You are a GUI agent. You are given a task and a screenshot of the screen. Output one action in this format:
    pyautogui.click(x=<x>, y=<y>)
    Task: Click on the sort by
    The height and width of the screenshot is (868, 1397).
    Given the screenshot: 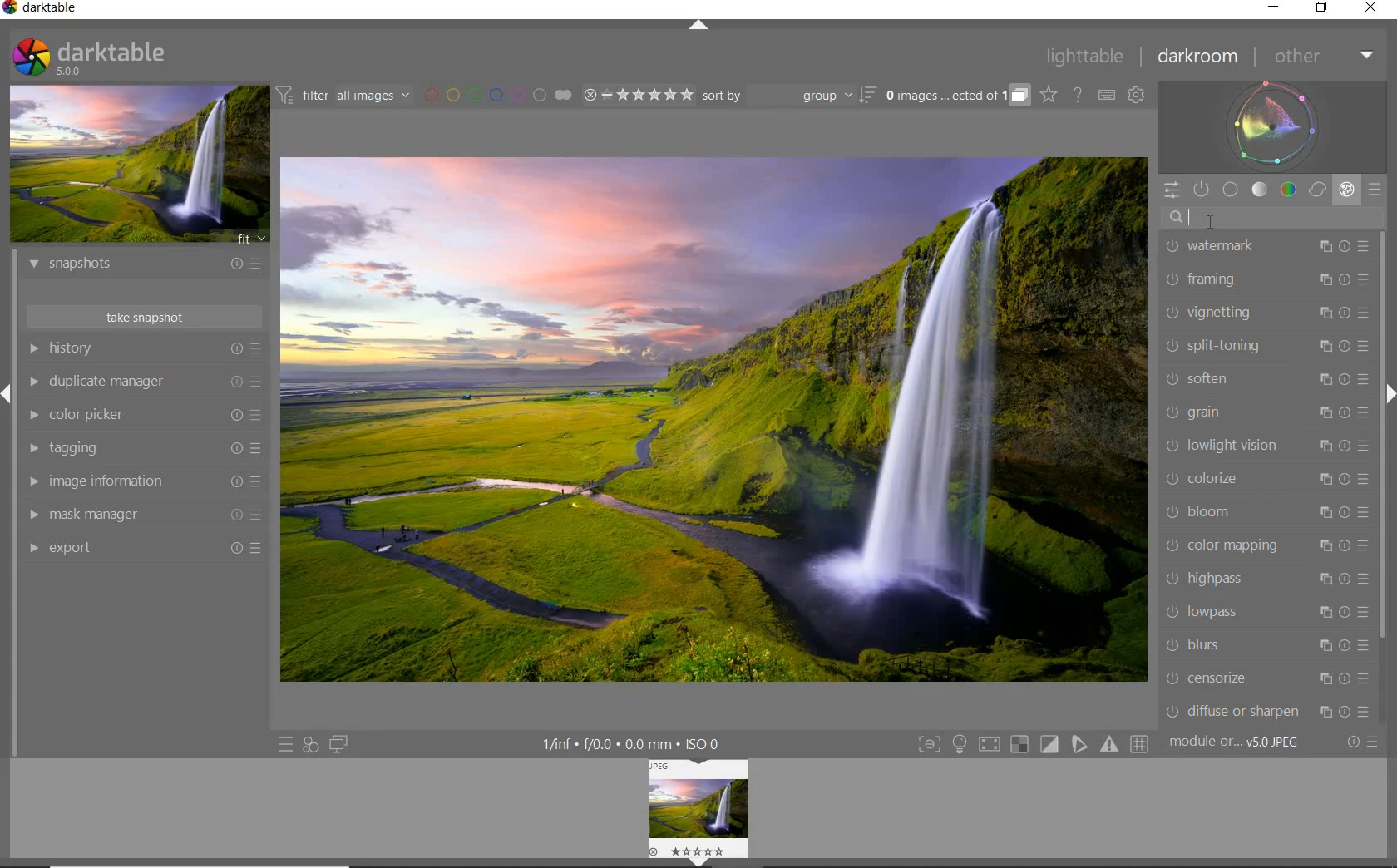 What is the action you would take?
    pyautogui.click(x=789, y=95)
    